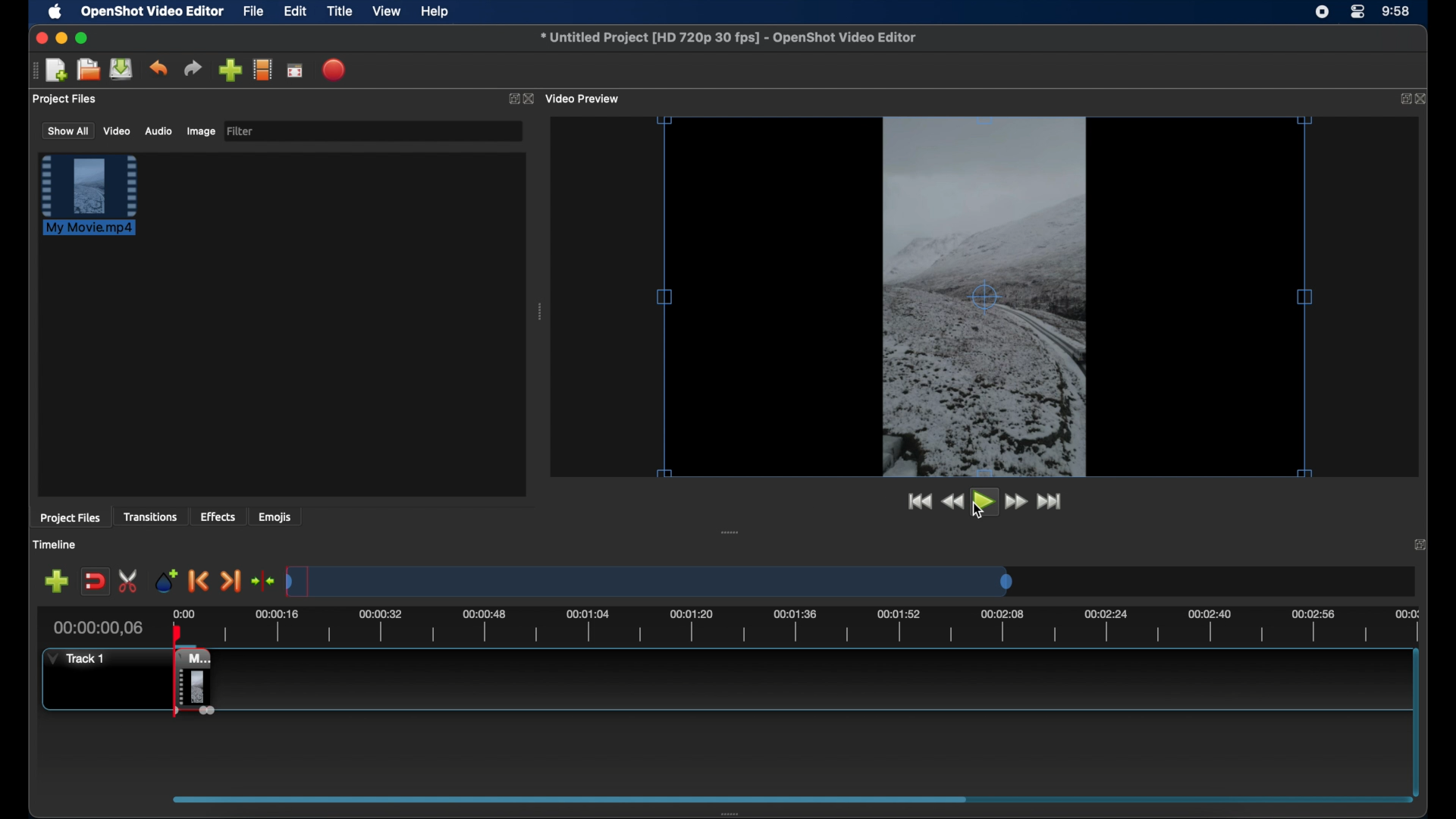  What do you see at coordinates (541, 312) in the screenshot?
I see `drag handle` at bounding box center [541, 312].